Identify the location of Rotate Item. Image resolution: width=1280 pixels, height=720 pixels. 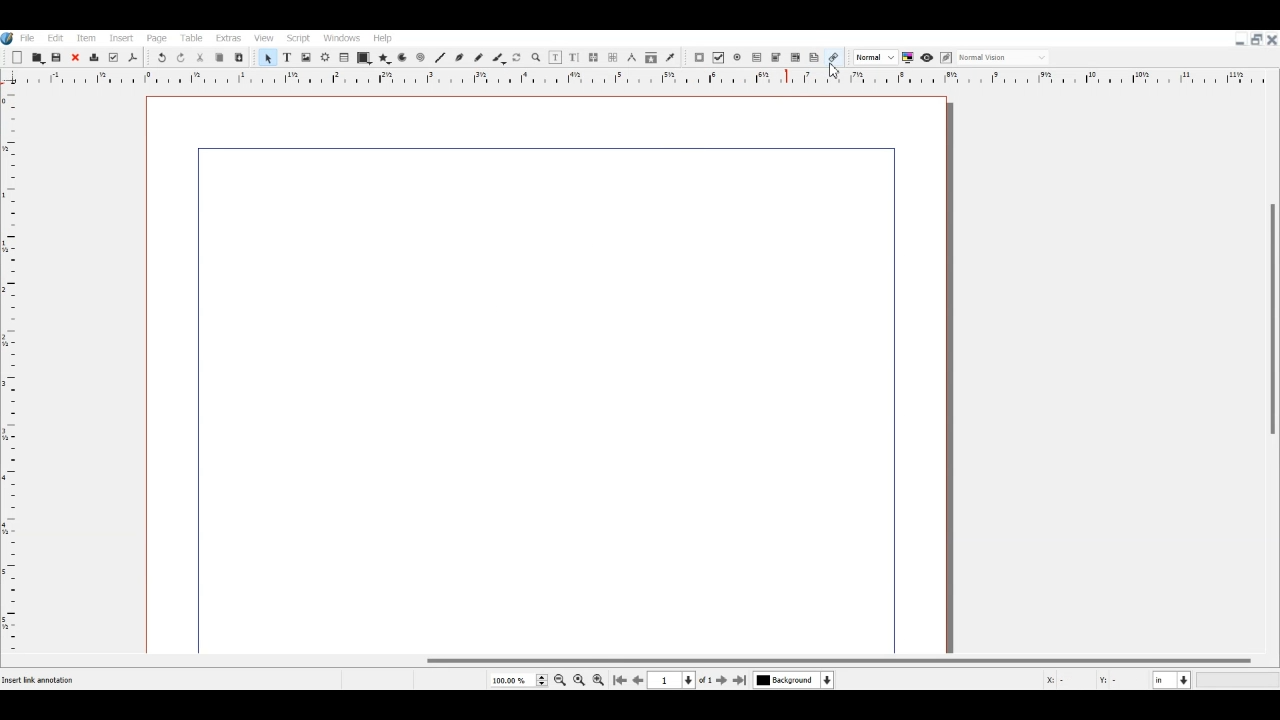
(518, 58).